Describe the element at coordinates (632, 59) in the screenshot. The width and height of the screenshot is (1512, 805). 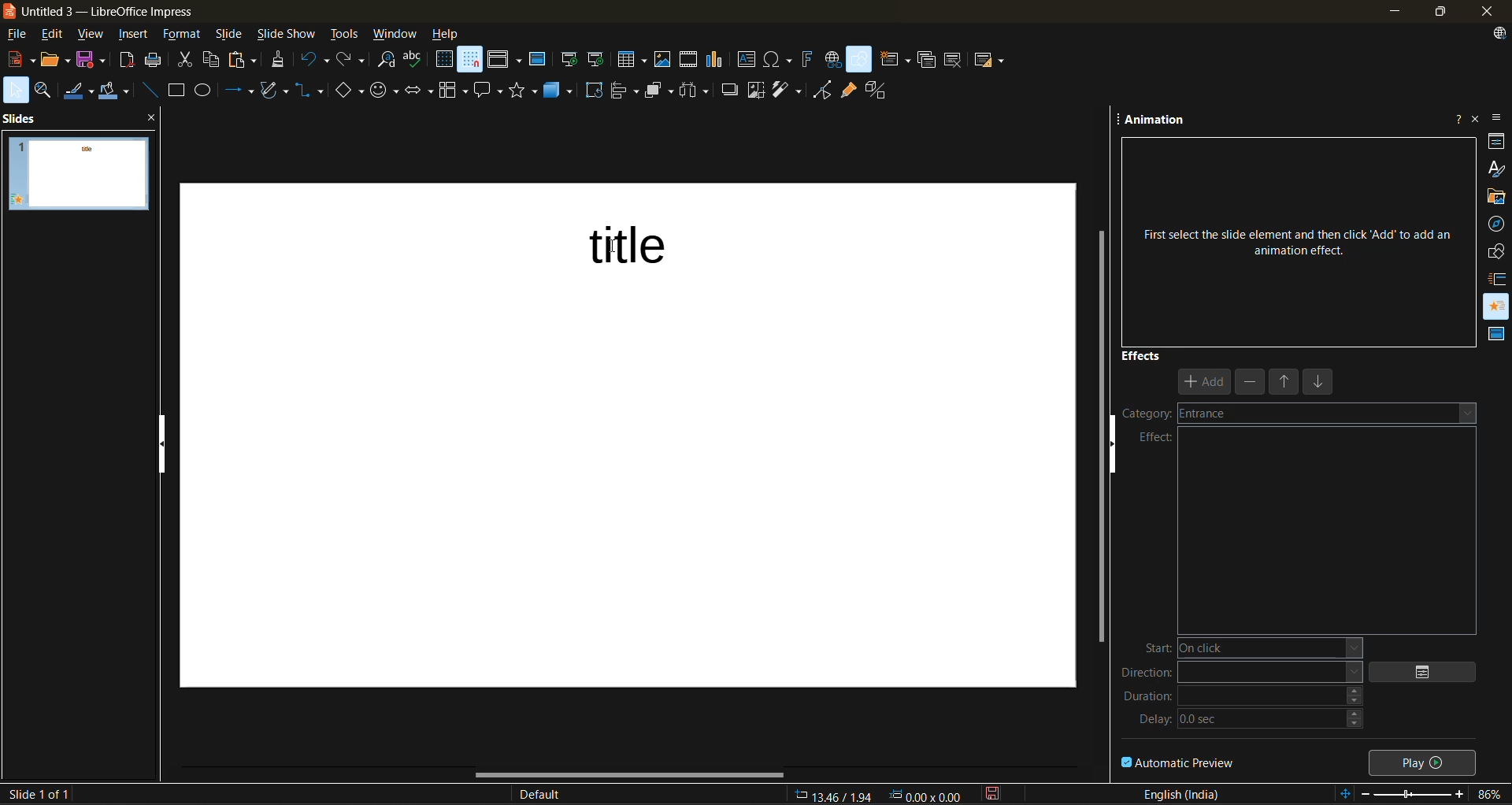
I see `table` at that location.